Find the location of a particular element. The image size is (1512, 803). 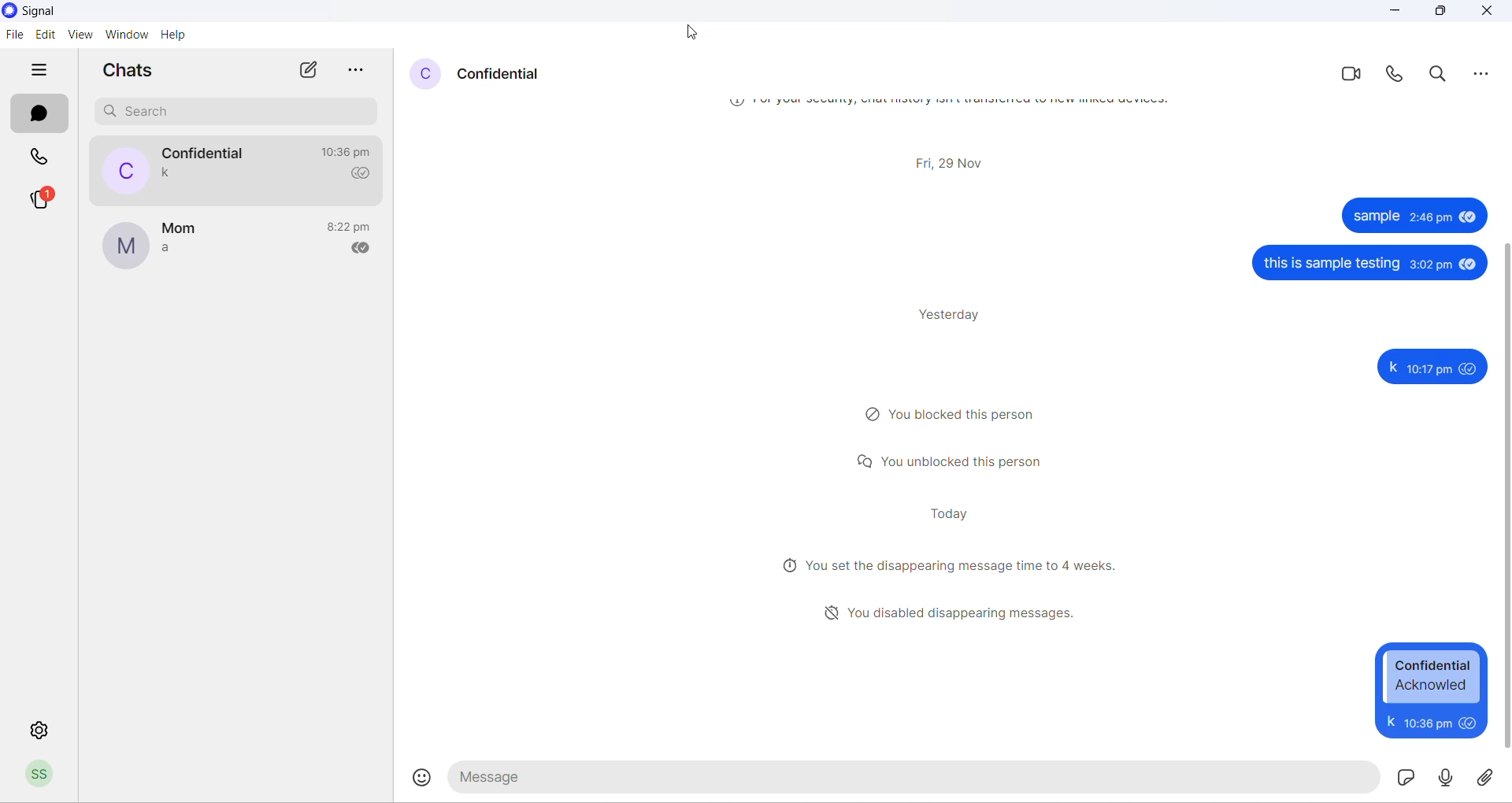

hide tabs is located at coordinates (45, 71).